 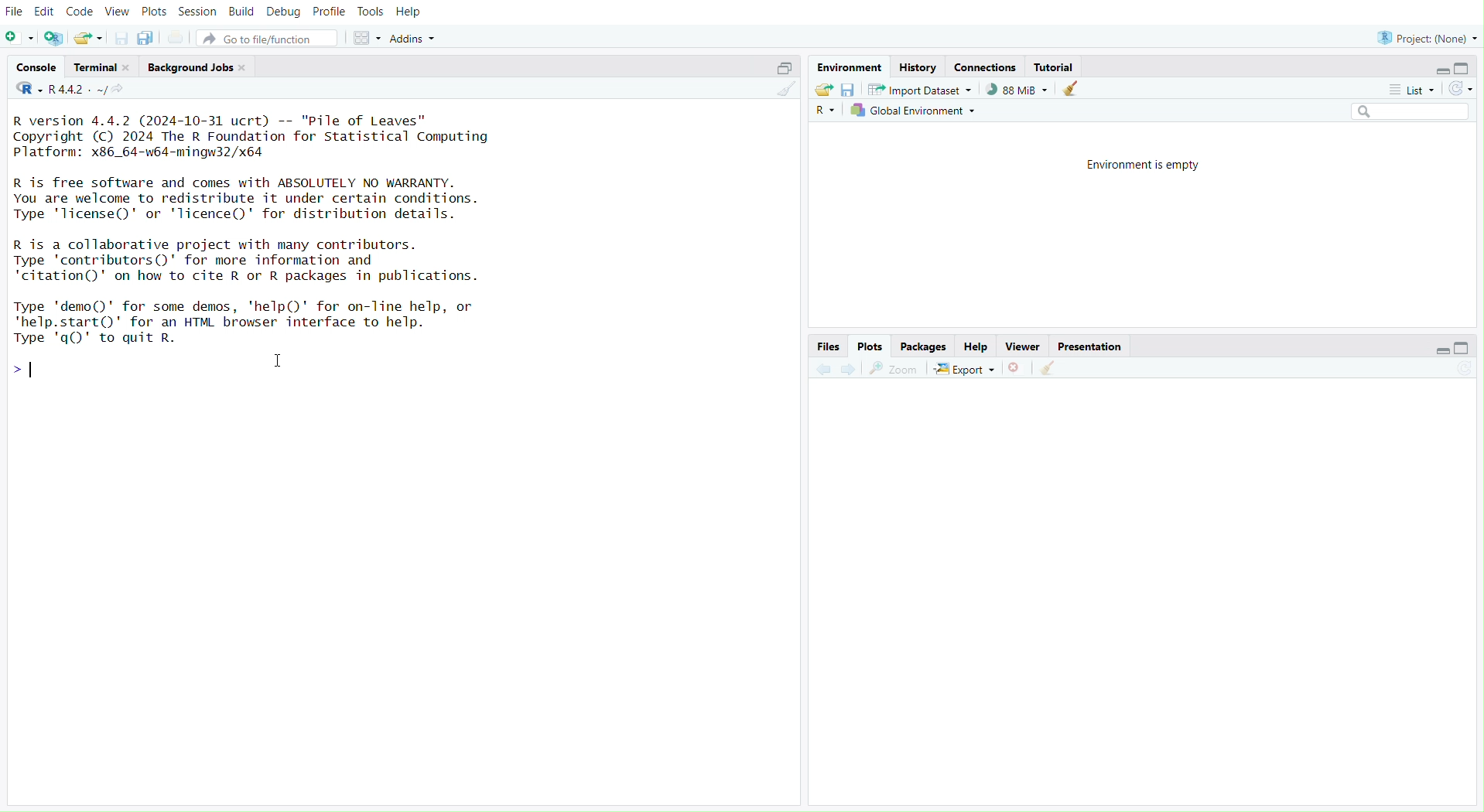 I want to click on Edit, so click(x=44, y=10).